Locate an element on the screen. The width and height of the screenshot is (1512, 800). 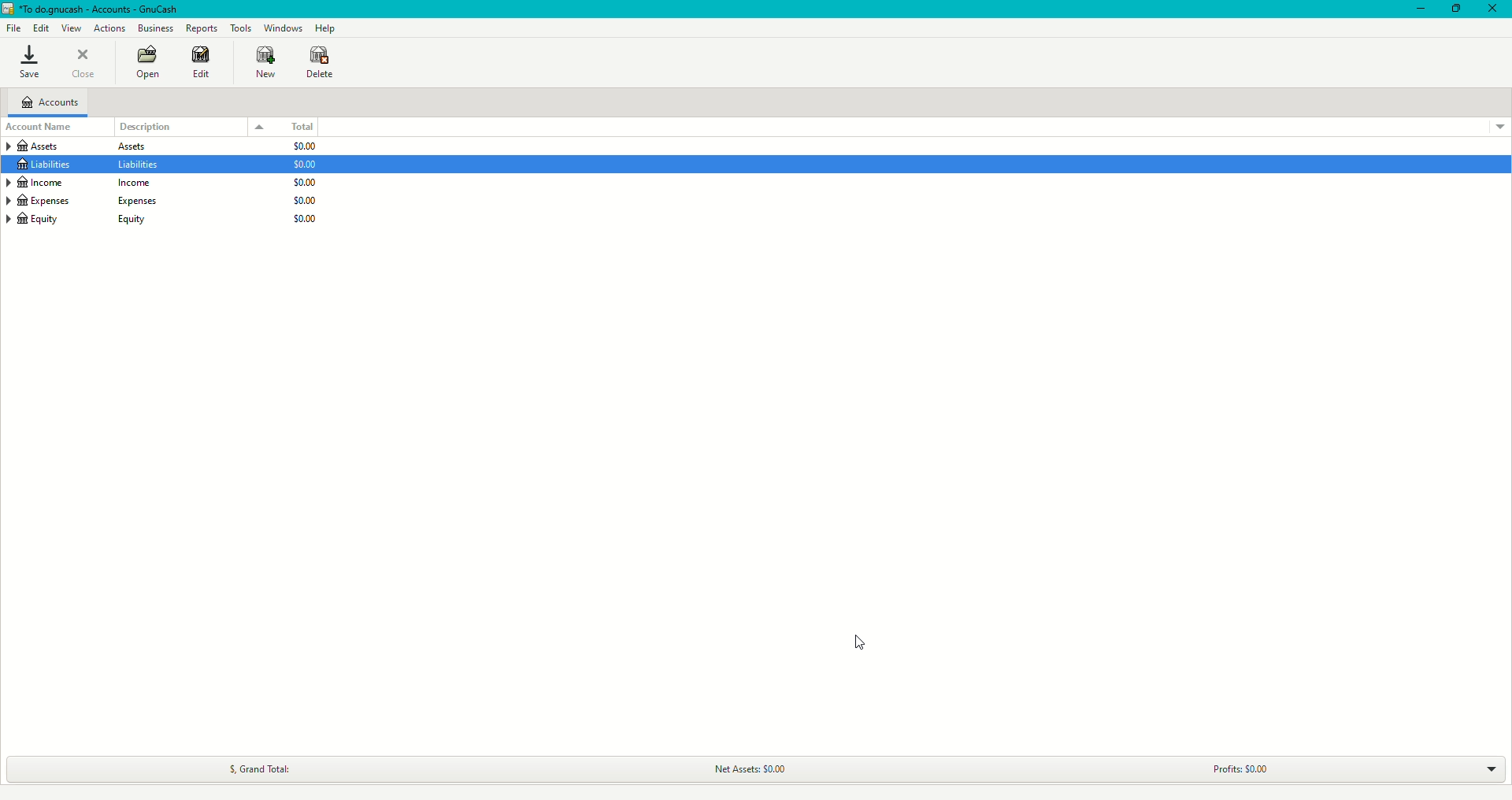
Reports is located at coordinates (202, 28).